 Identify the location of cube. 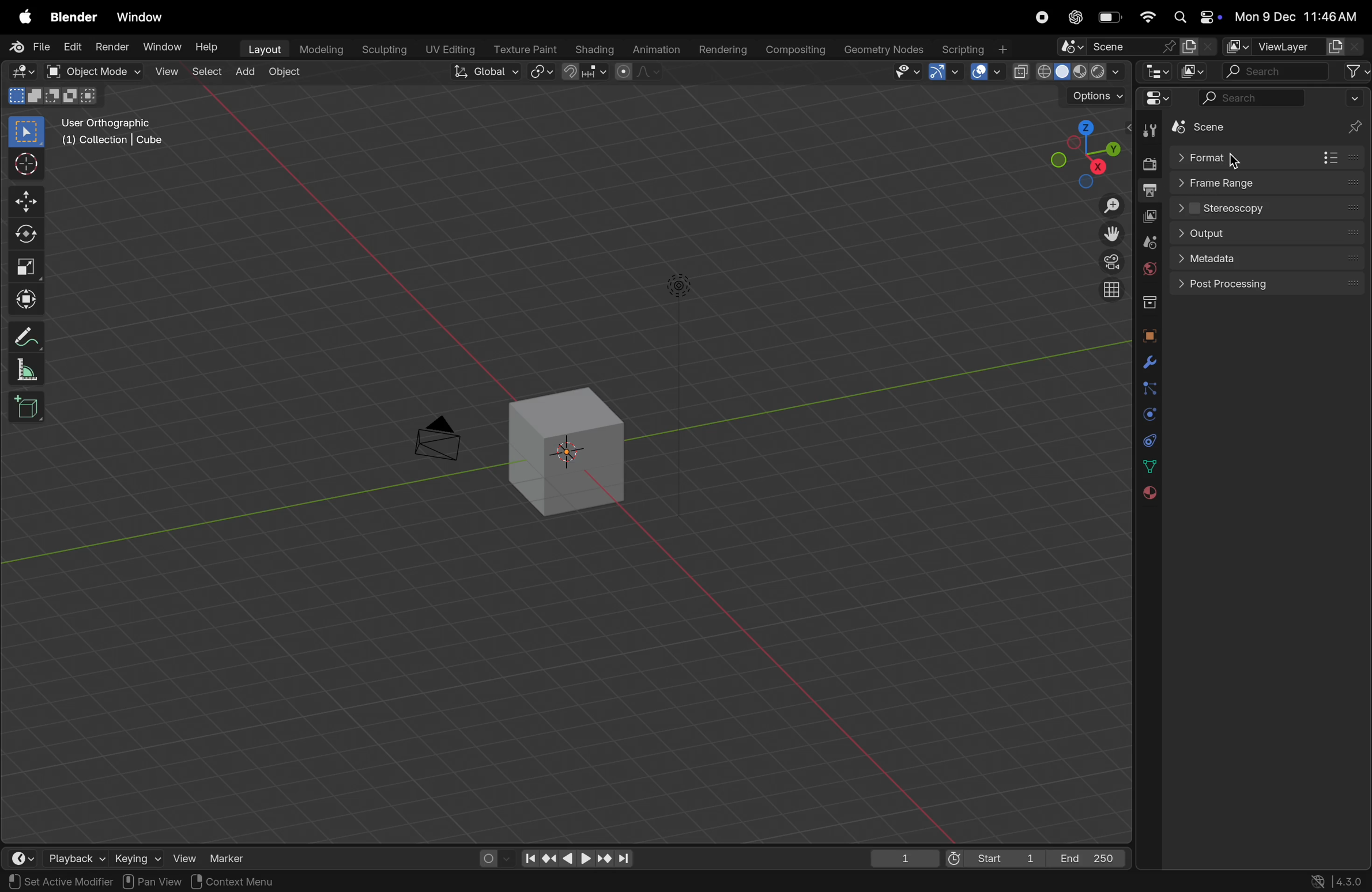
(569, 448).